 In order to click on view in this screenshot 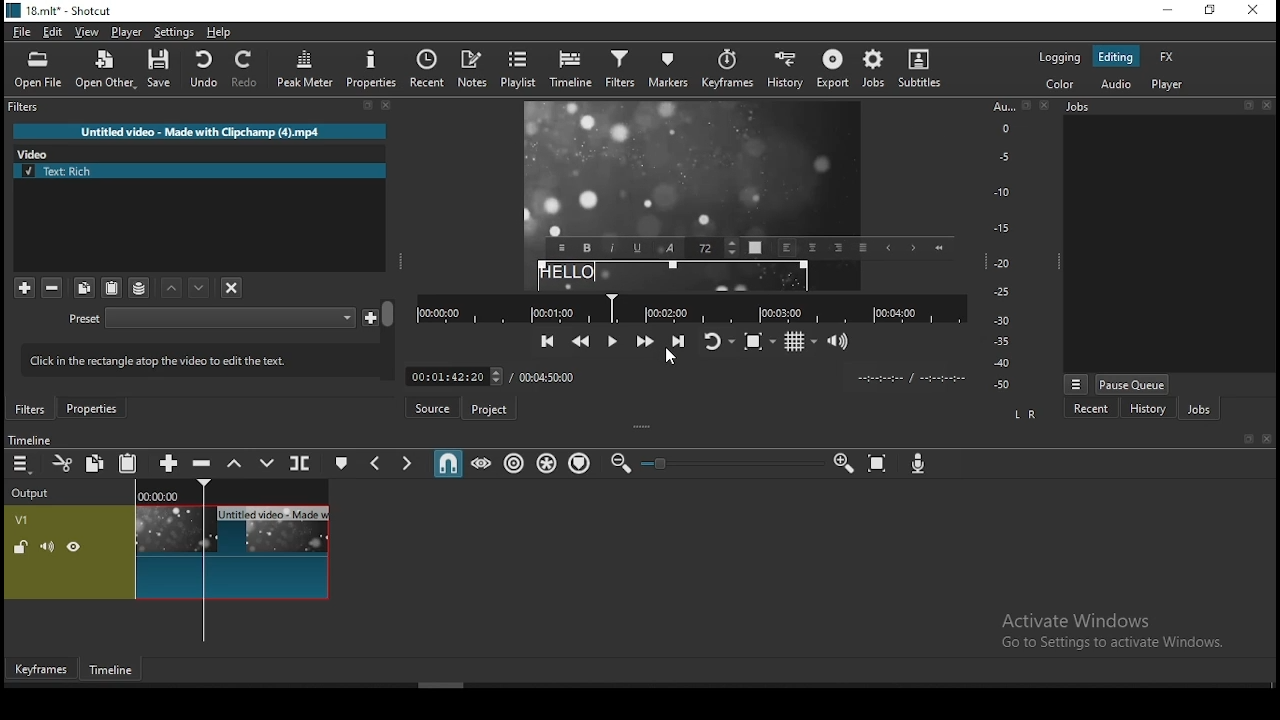, I will do `click(87, 33)`.